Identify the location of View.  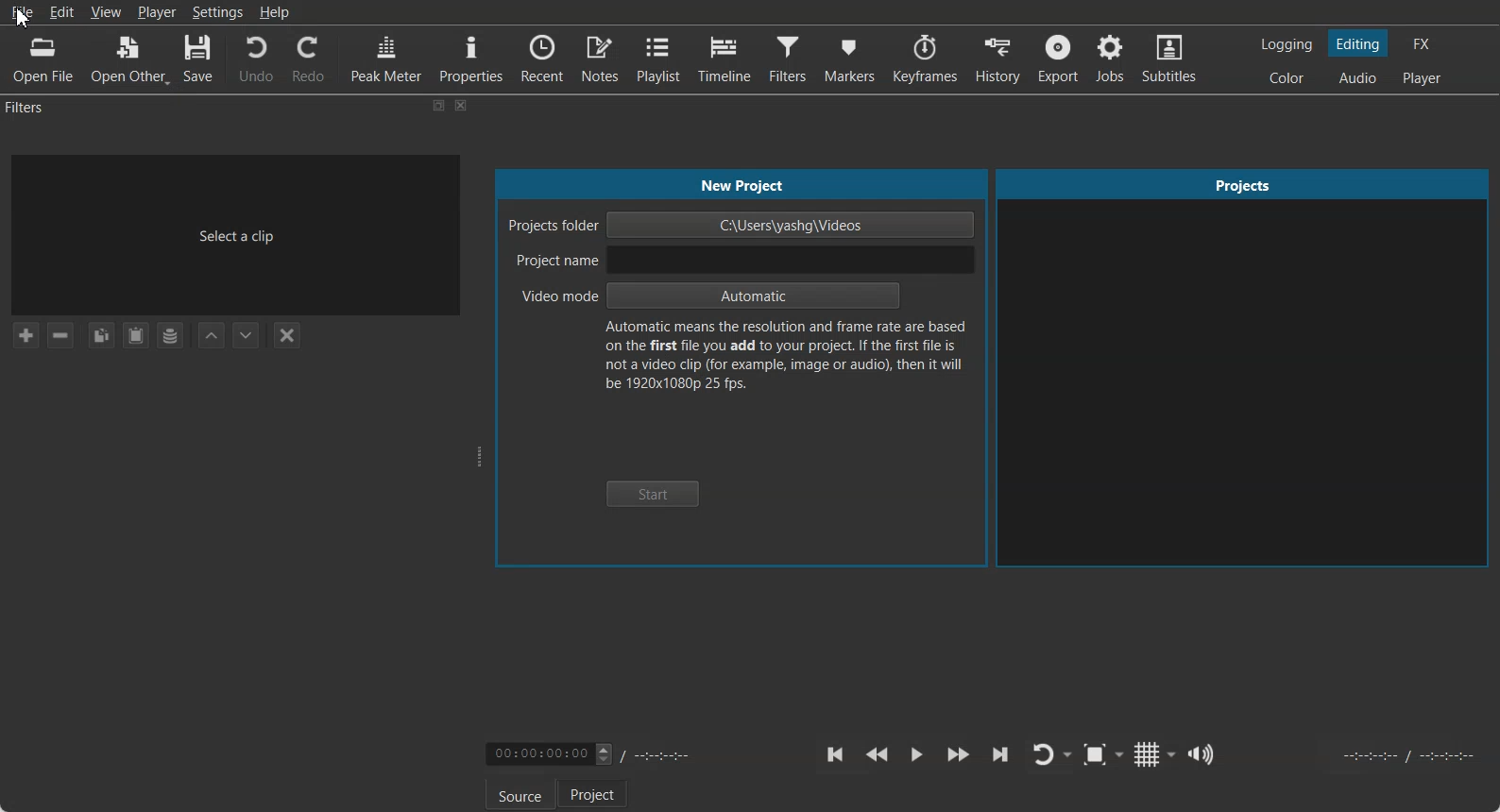
(106, 11).